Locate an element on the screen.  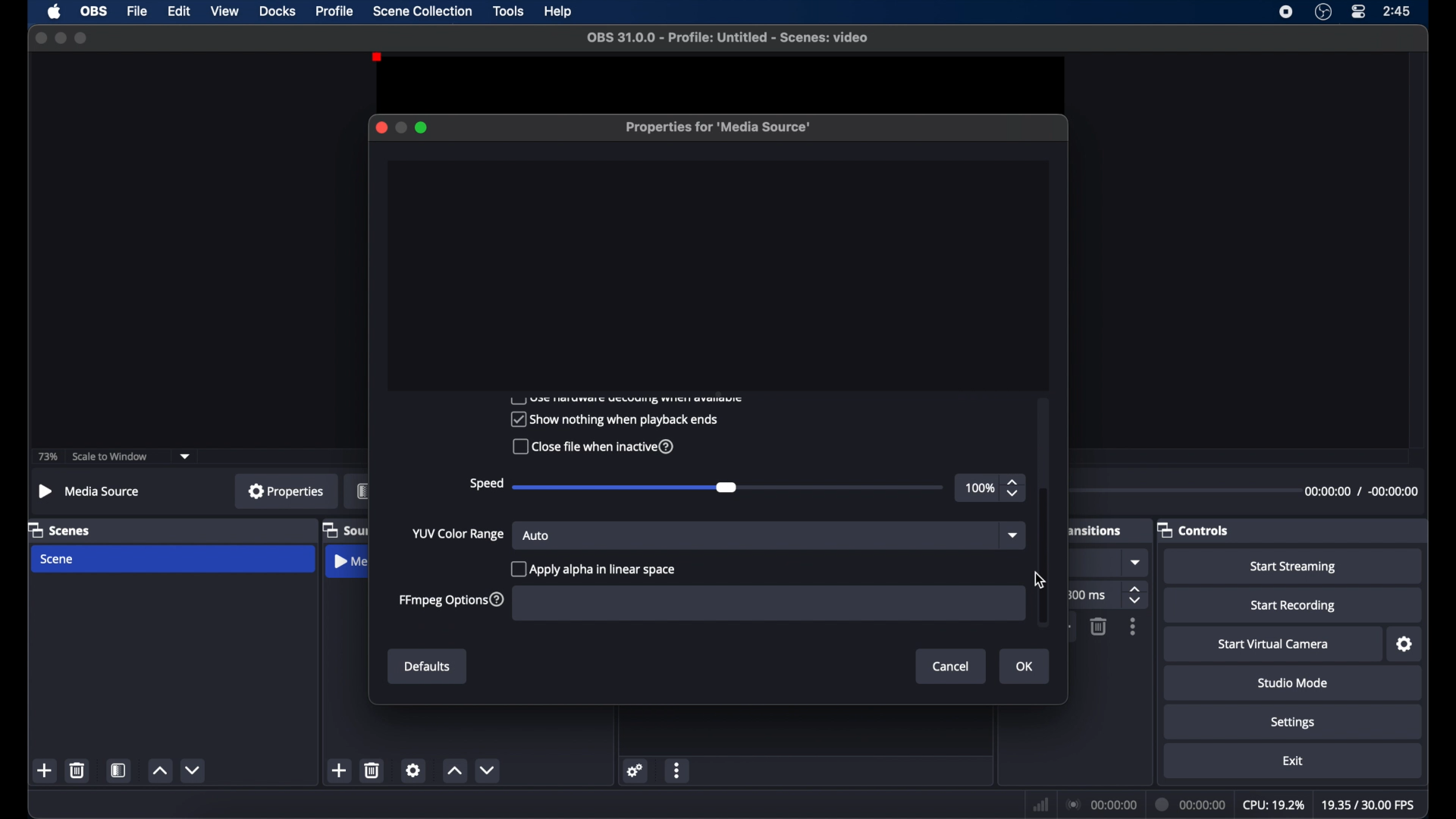
maximize is located at coordinates (422, 127).